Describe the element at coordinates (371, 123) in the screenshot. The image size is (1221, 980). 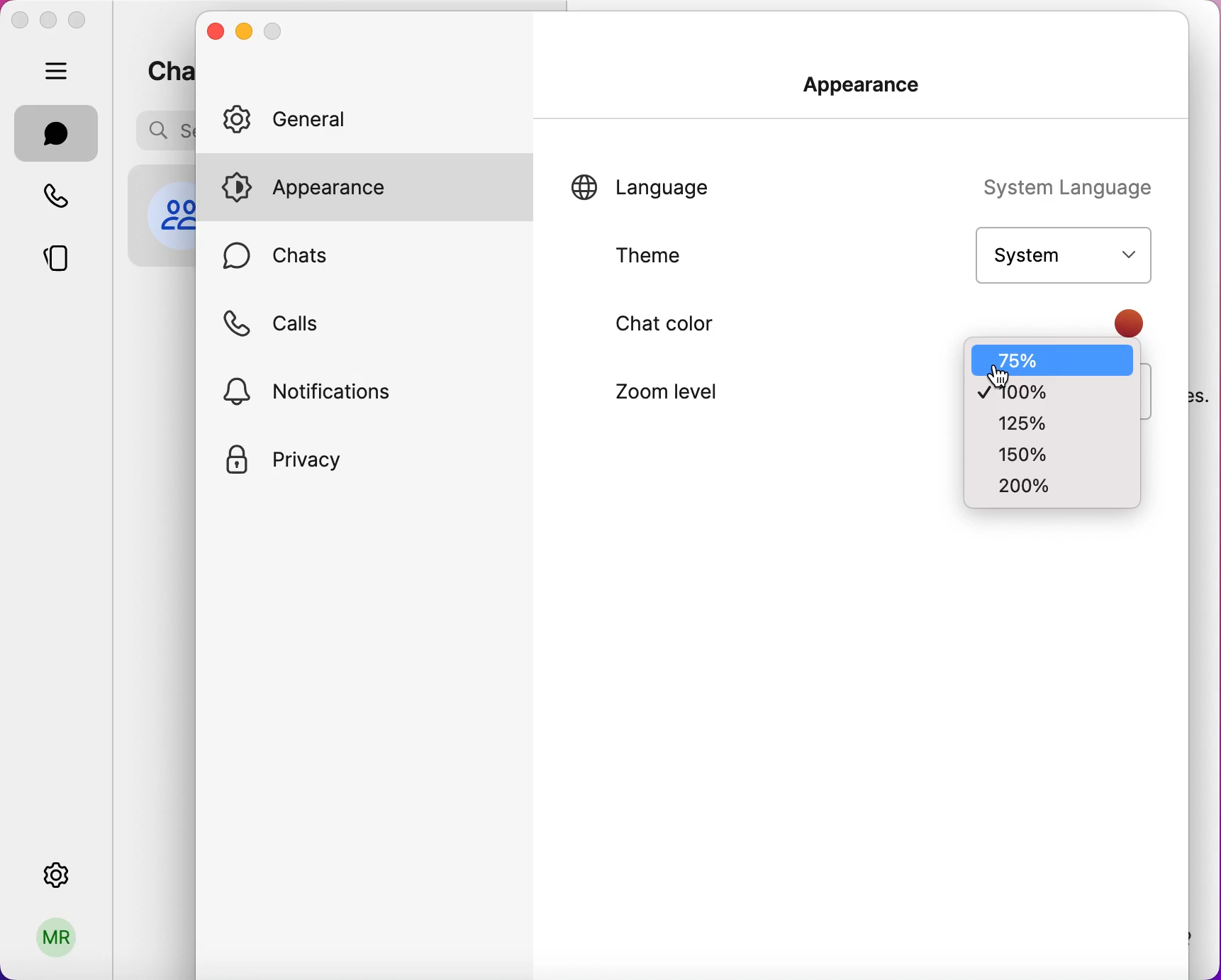
I see `general` at that location.